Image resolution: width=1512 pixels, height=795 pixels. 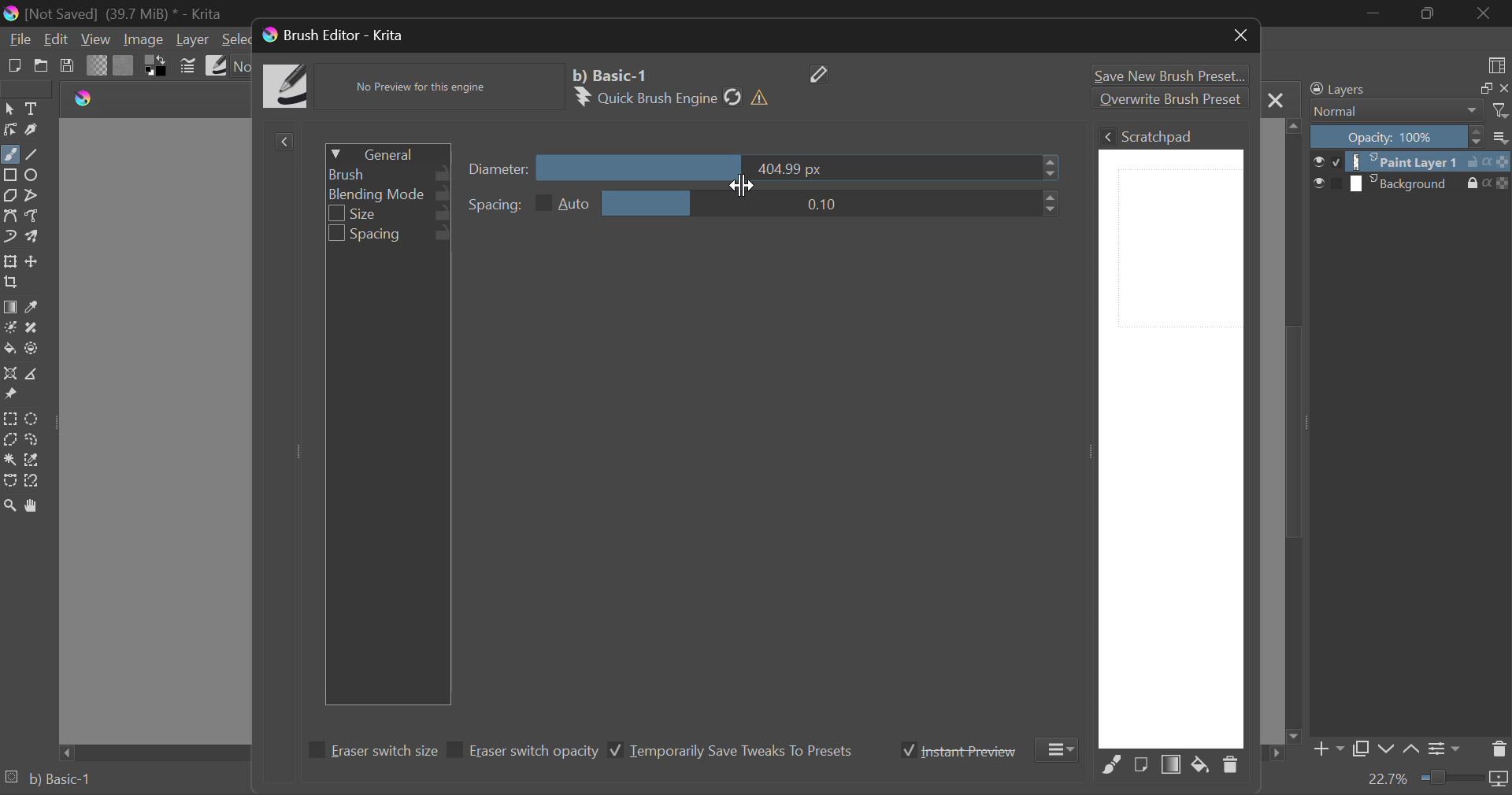 What do you see at coordinates (38, 306) in the screenshot?
I see `Eyedropper` at bounding box center [38, 306].